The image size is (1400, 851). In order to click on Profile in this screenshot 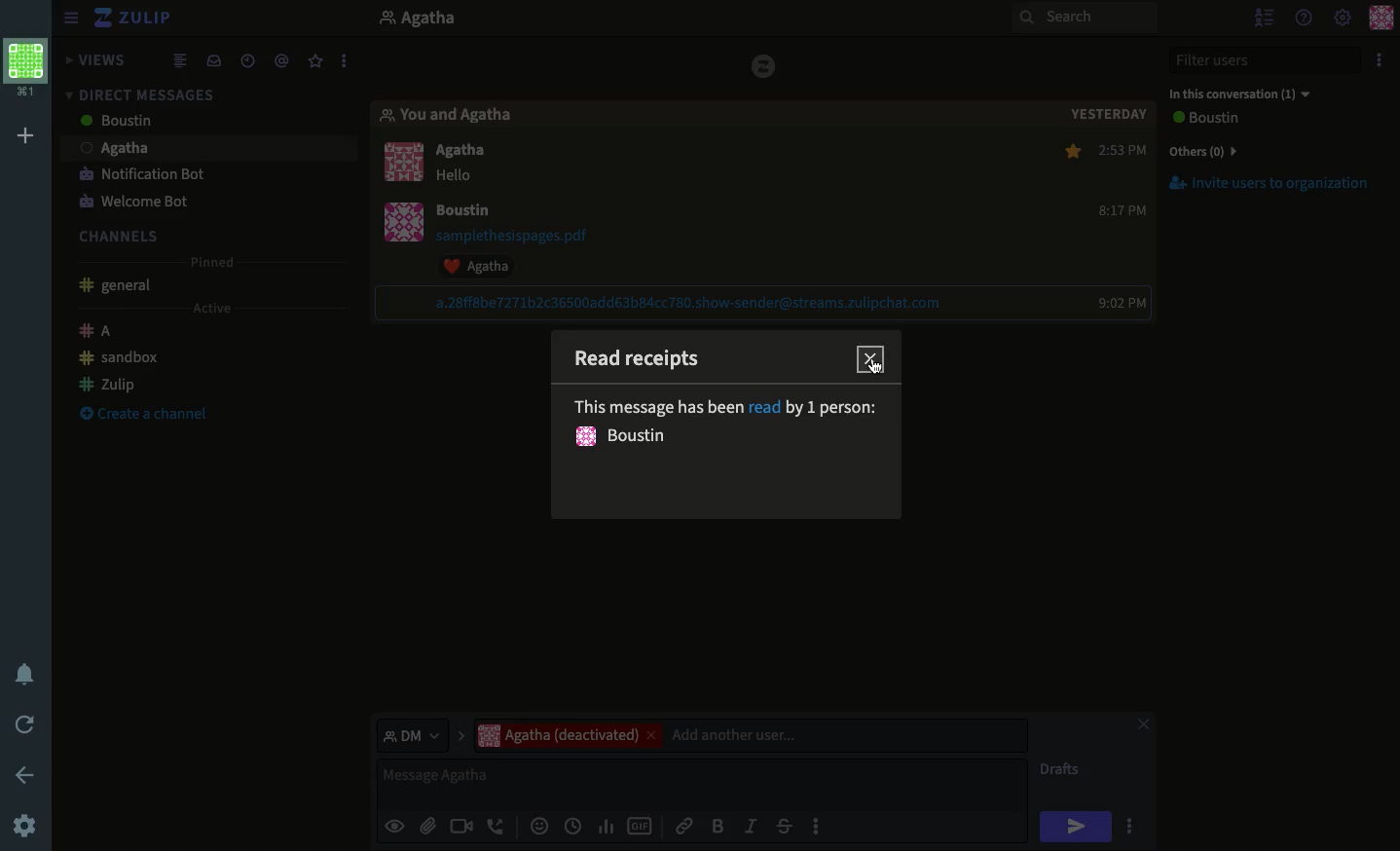, I will do `click(1383, 17)`.